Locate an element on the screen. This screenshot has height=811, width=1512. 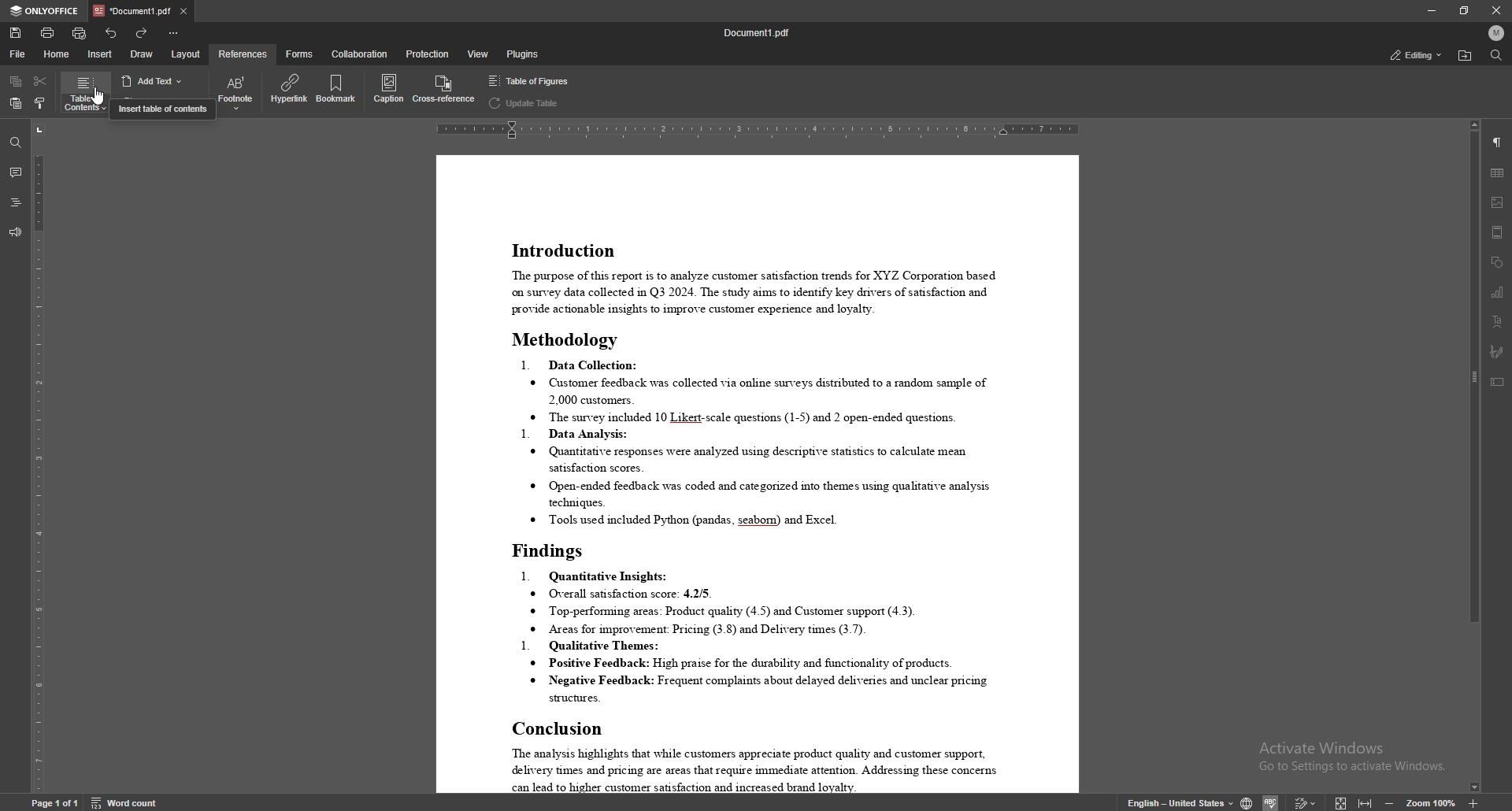
comment is located at coordinates (16, 172).